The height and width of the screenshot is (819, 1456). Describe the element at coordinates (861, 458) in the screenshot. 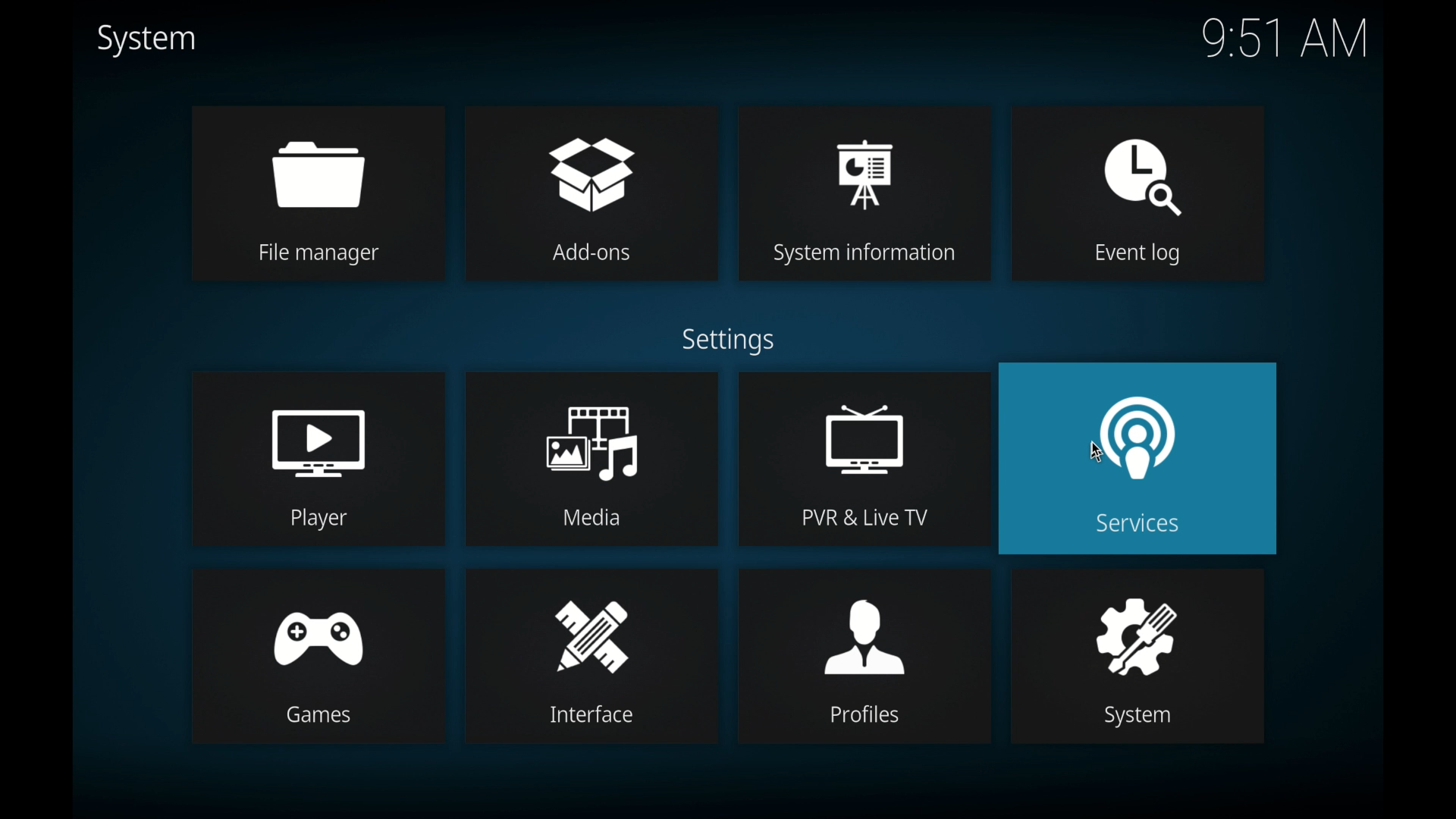

I see `PVR and live tv` at that location.